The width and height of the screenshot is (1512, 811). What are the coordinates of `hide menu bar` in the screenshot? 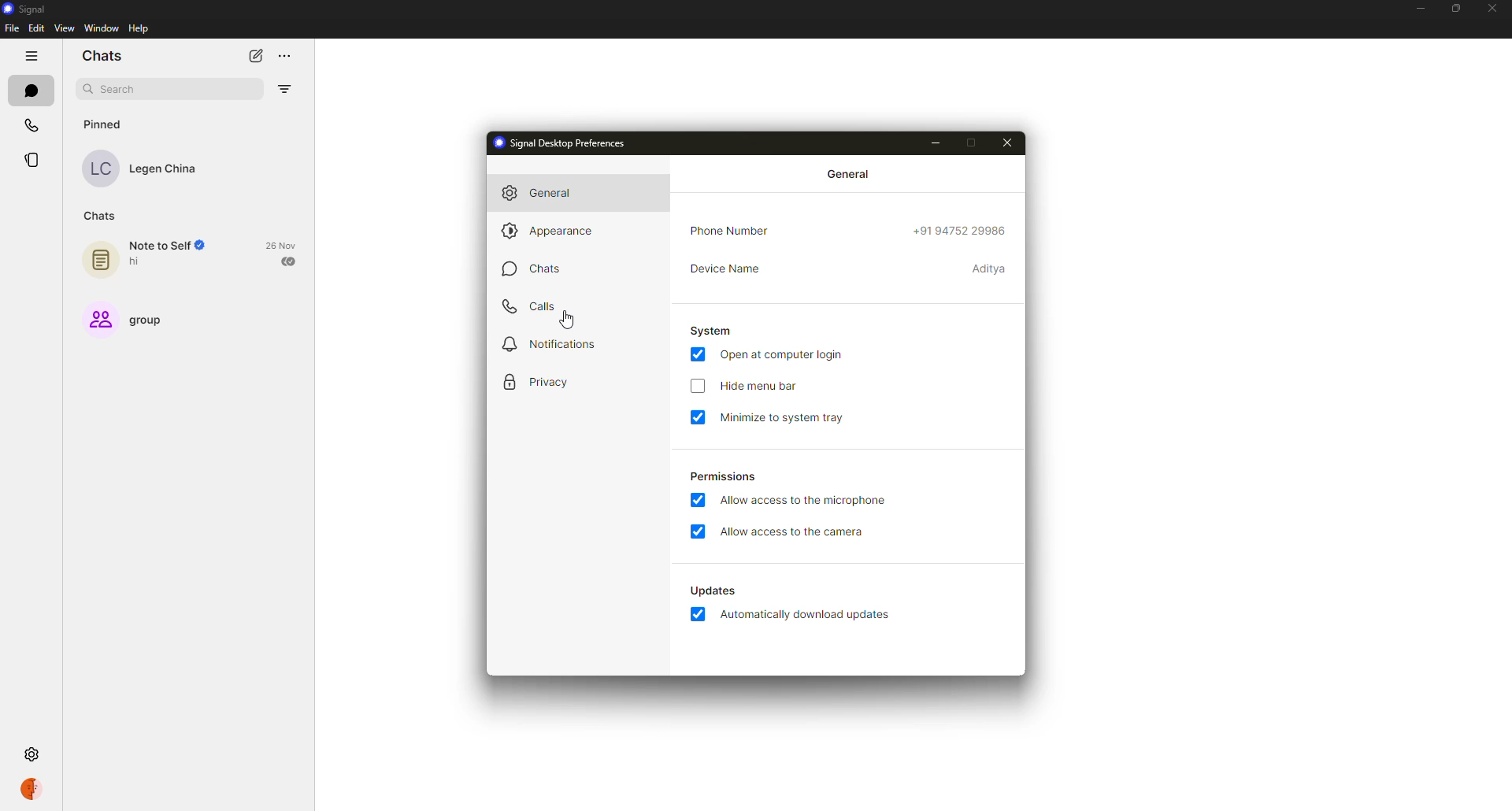 It's located at (759, 387).